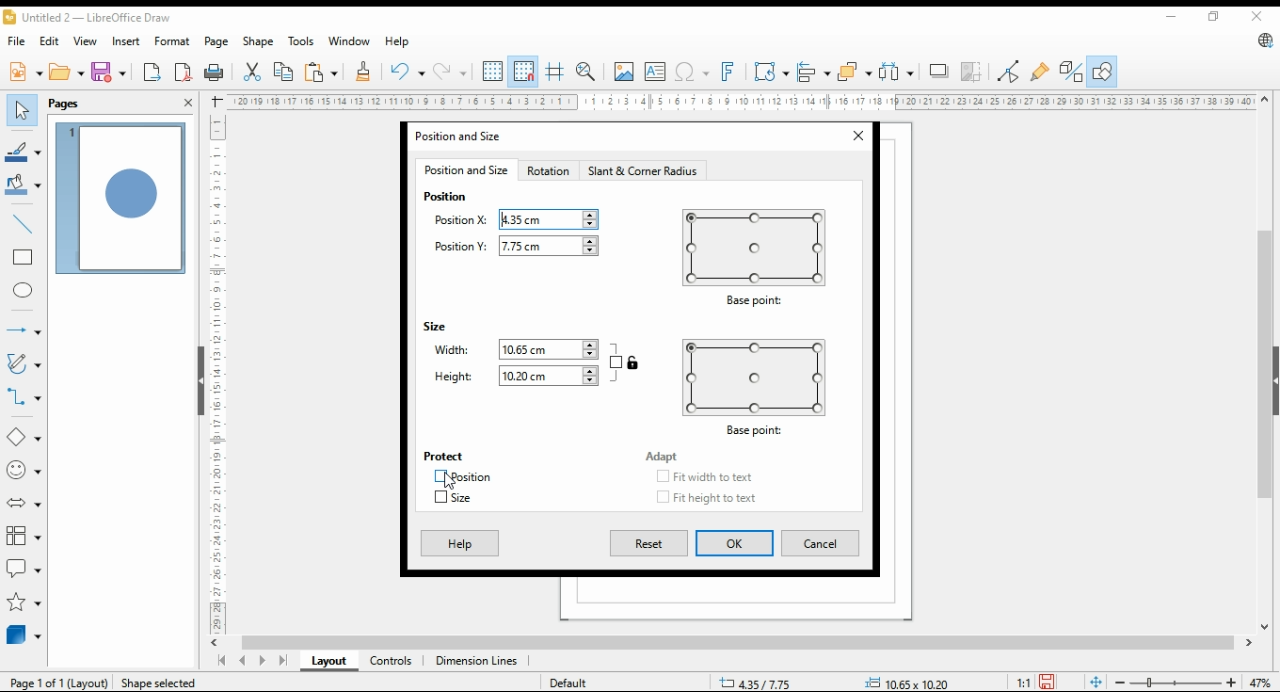 The image size is (1280, 692). What do you see at coordinates (518, 246) in the screenshot?
I see `position Y:7.75cm` at bounding box center [518, 246].